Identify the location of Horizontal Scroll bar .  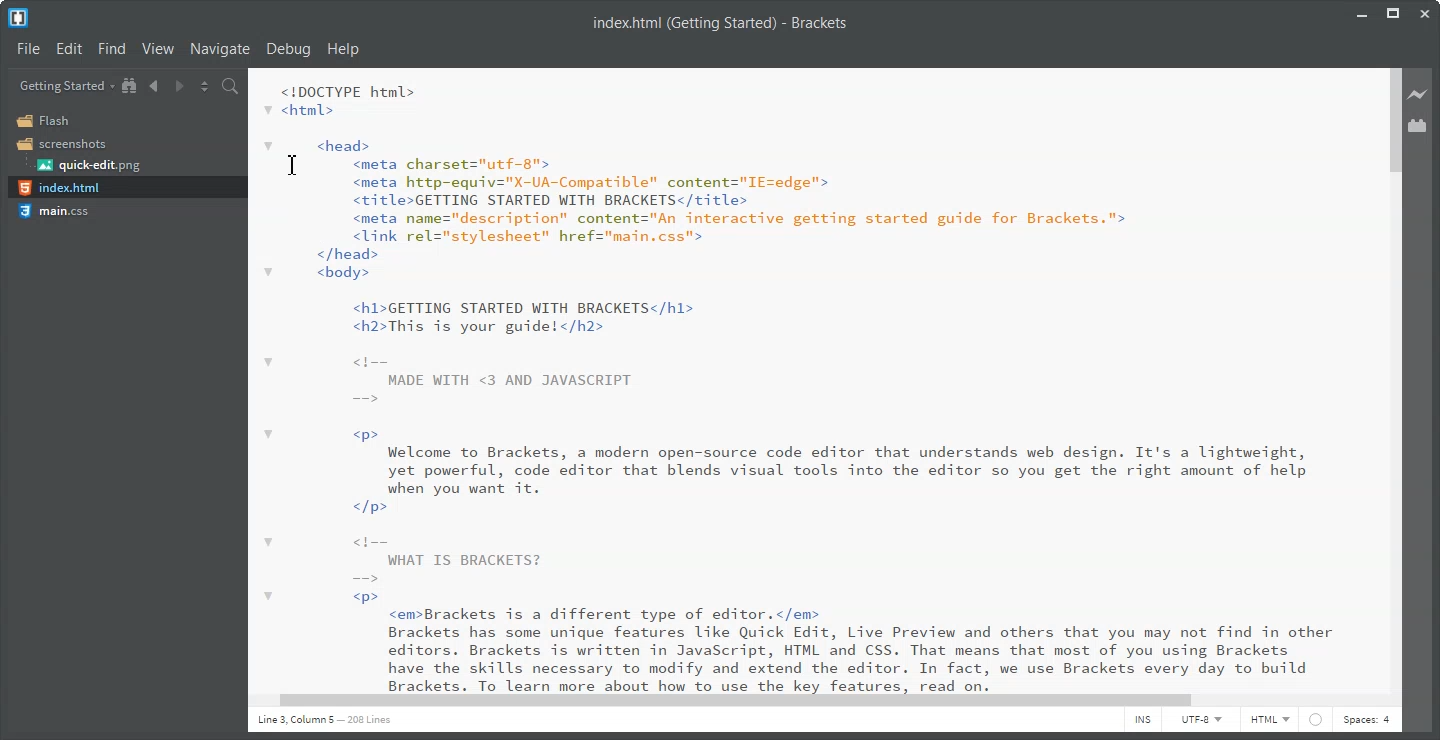
(812, 701).